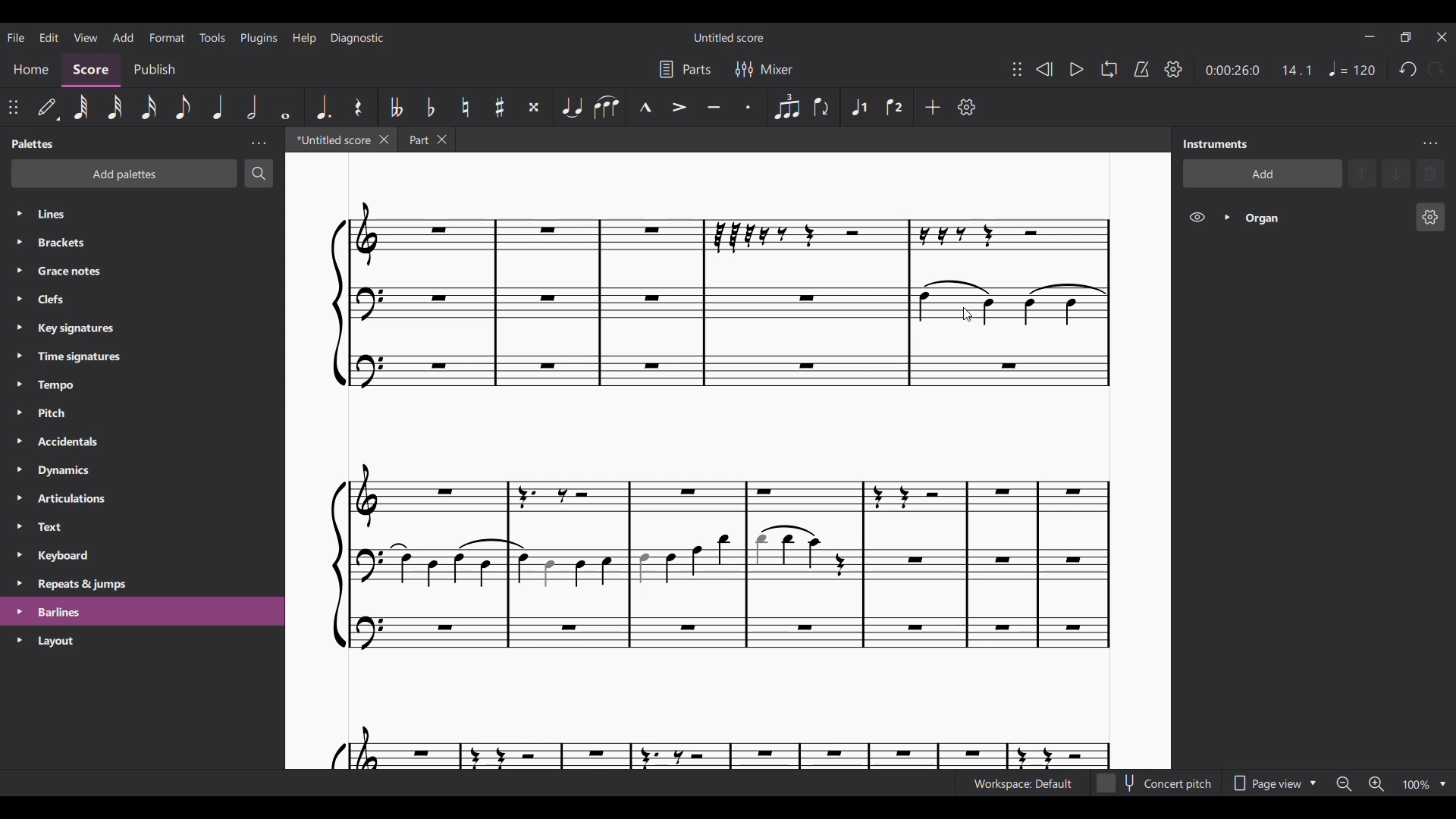 Image resolution: width=1456 pixels, height=819 pixels. I want to click on Hide Organ on score, so click(1197, 217).